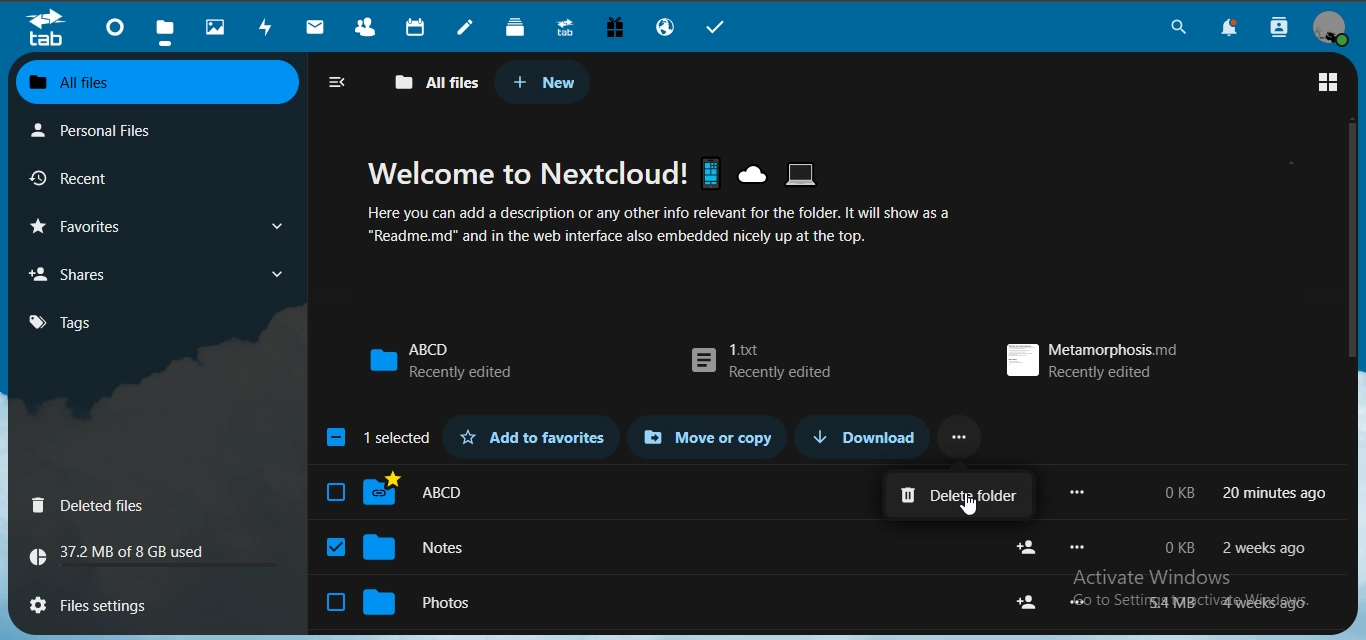 The height and width of the screenshot is (640, 1366). What do you see at coordinates (615, 26) in the screenshot?
I see `free trial` at bounding box center [615, 26].